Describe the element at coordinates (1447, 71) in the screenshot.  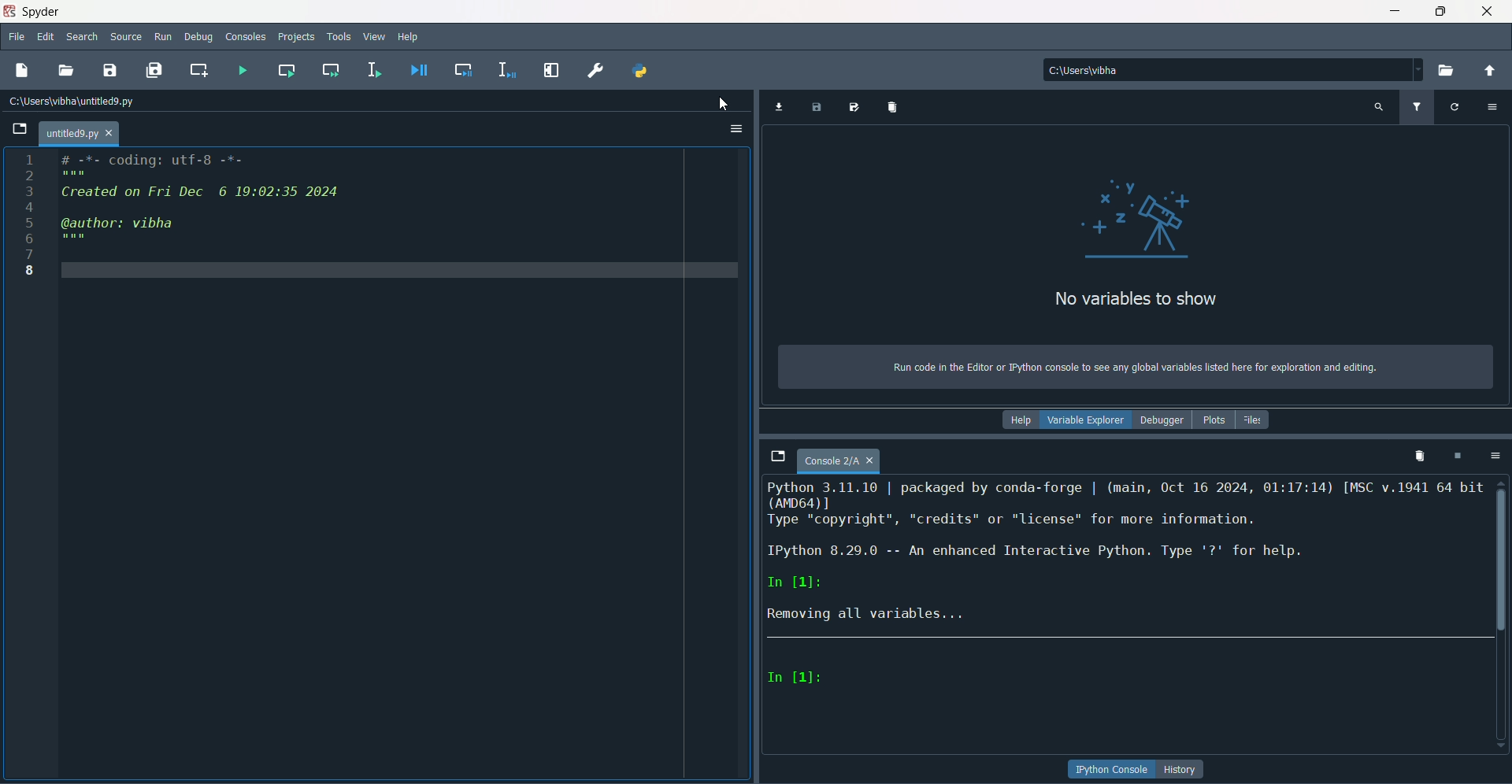
I see `browse directory` at that location.